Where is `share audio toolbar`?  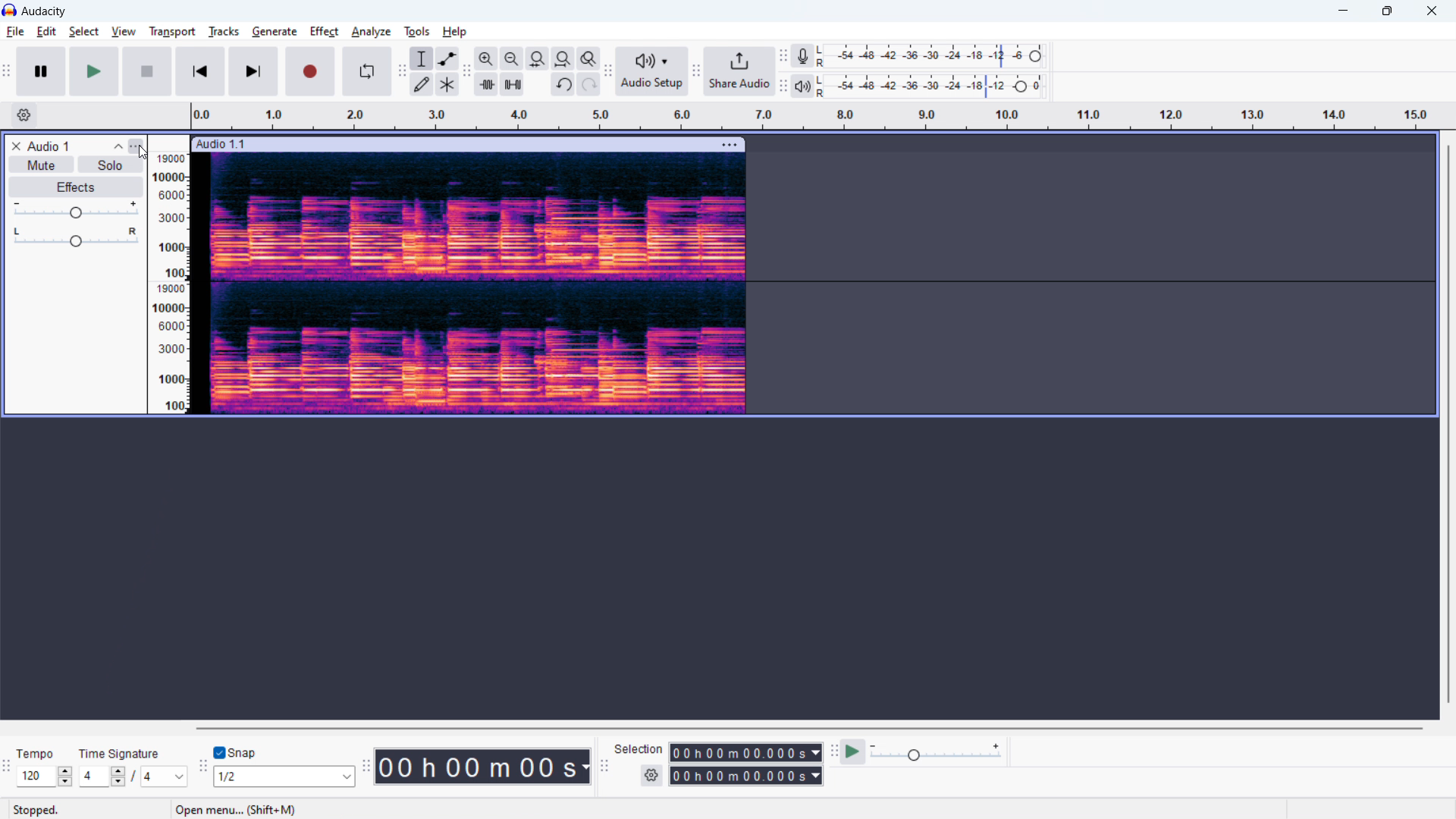
share audio toolbar is located at coordinates (696, 71).